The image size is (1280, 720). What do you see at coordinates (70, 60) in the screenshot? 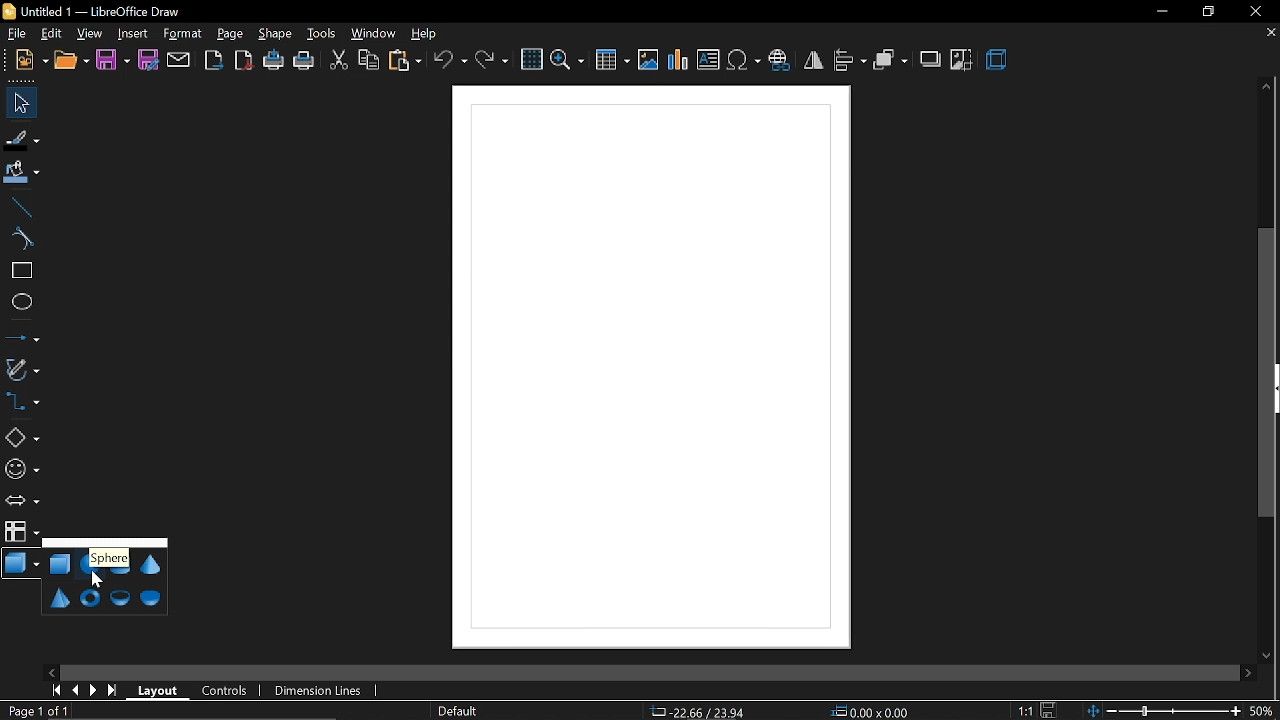
I see `open` at bounding box center [70, 60].